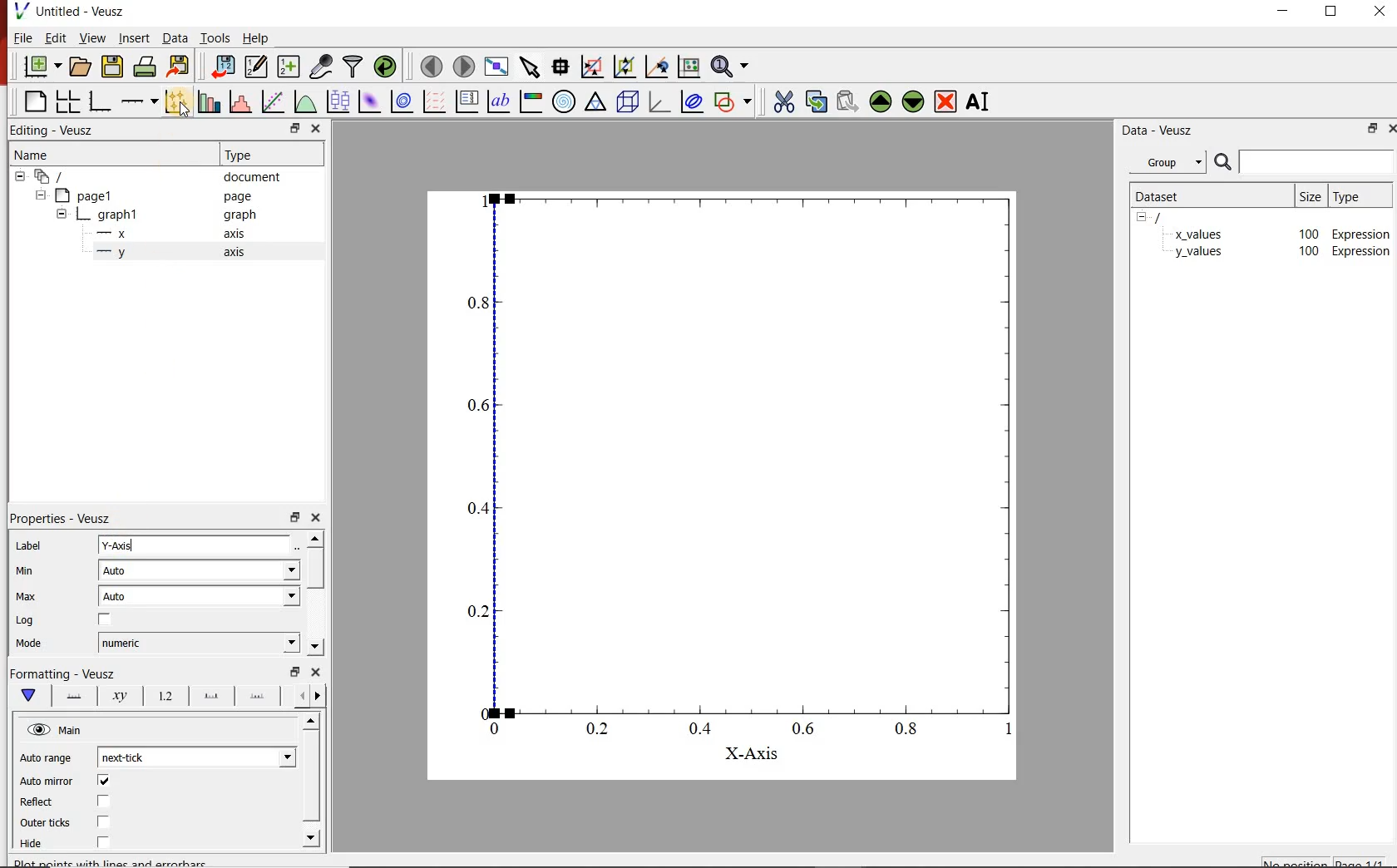 This screenshot has height=868, width=1397. Describe the element at coordinates (1389, 128) in the screenshot. I see `close` at that location.